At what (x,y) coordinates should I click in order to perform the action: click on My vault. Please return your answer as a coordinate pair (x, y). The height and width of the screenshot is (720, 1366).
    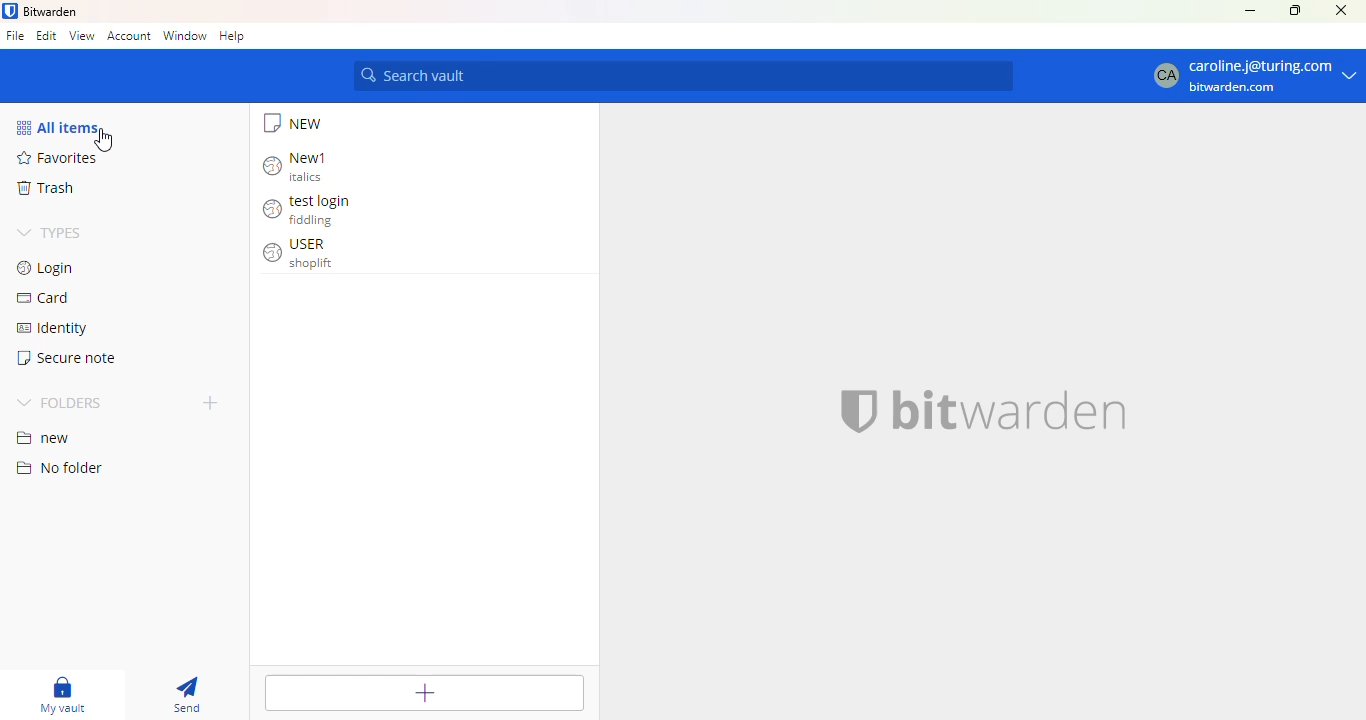
    Looking at the image, I should click on (65, 692).